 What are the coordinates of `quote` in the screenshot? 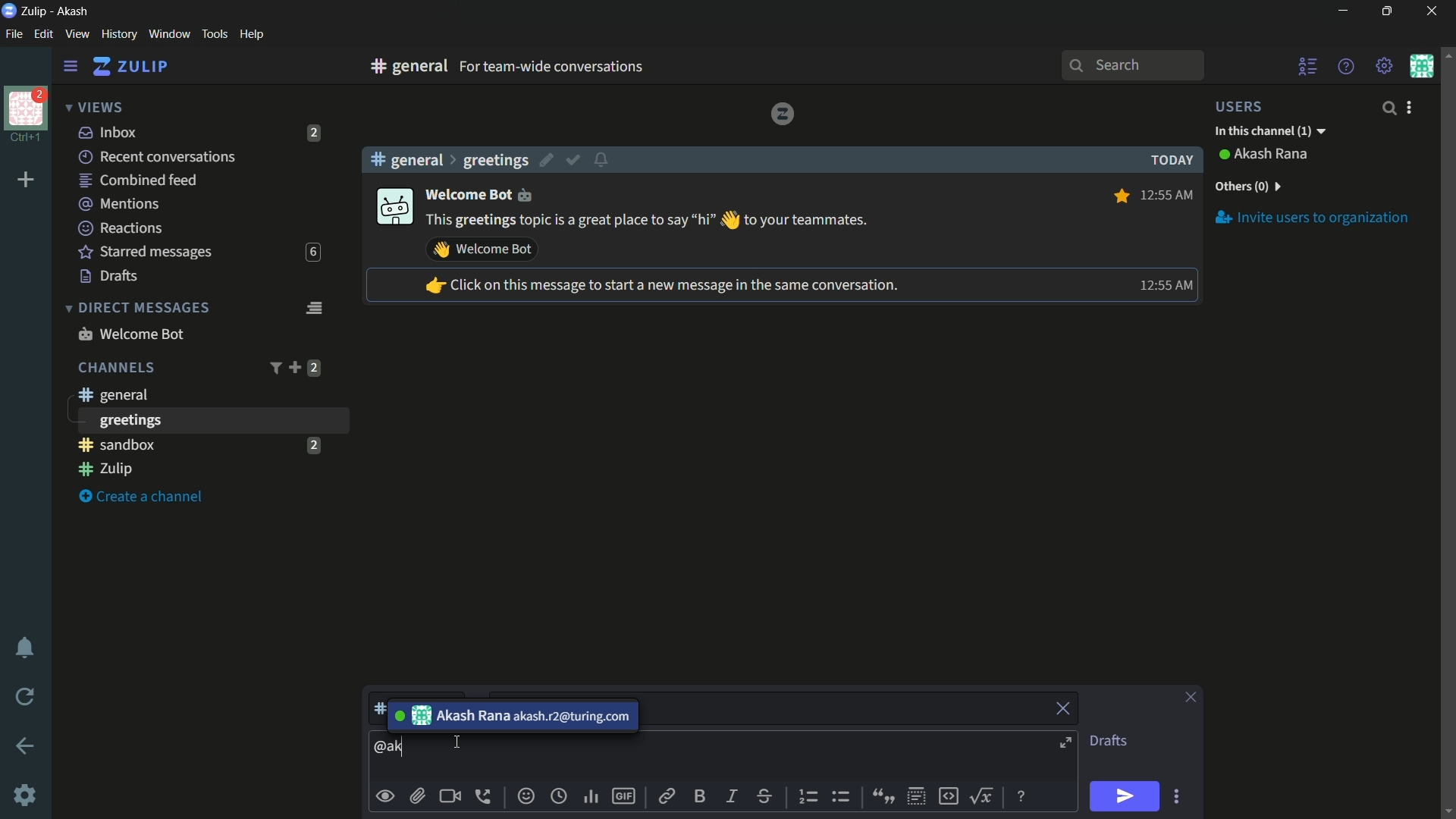 It's located at (881, 795).